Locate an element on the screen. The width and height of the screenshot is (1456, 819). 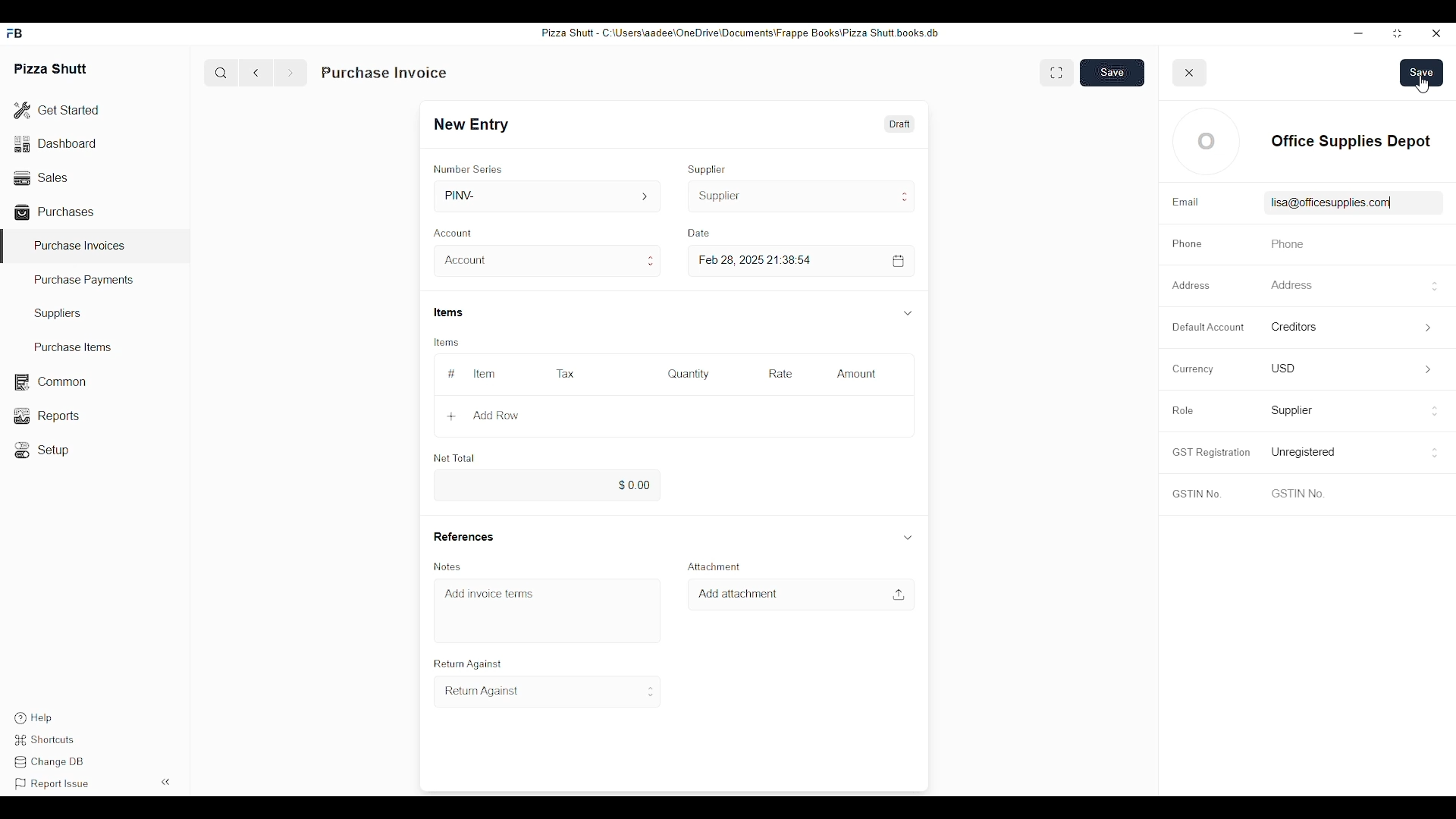
Profile photo is located at coordinates (1207, 141).